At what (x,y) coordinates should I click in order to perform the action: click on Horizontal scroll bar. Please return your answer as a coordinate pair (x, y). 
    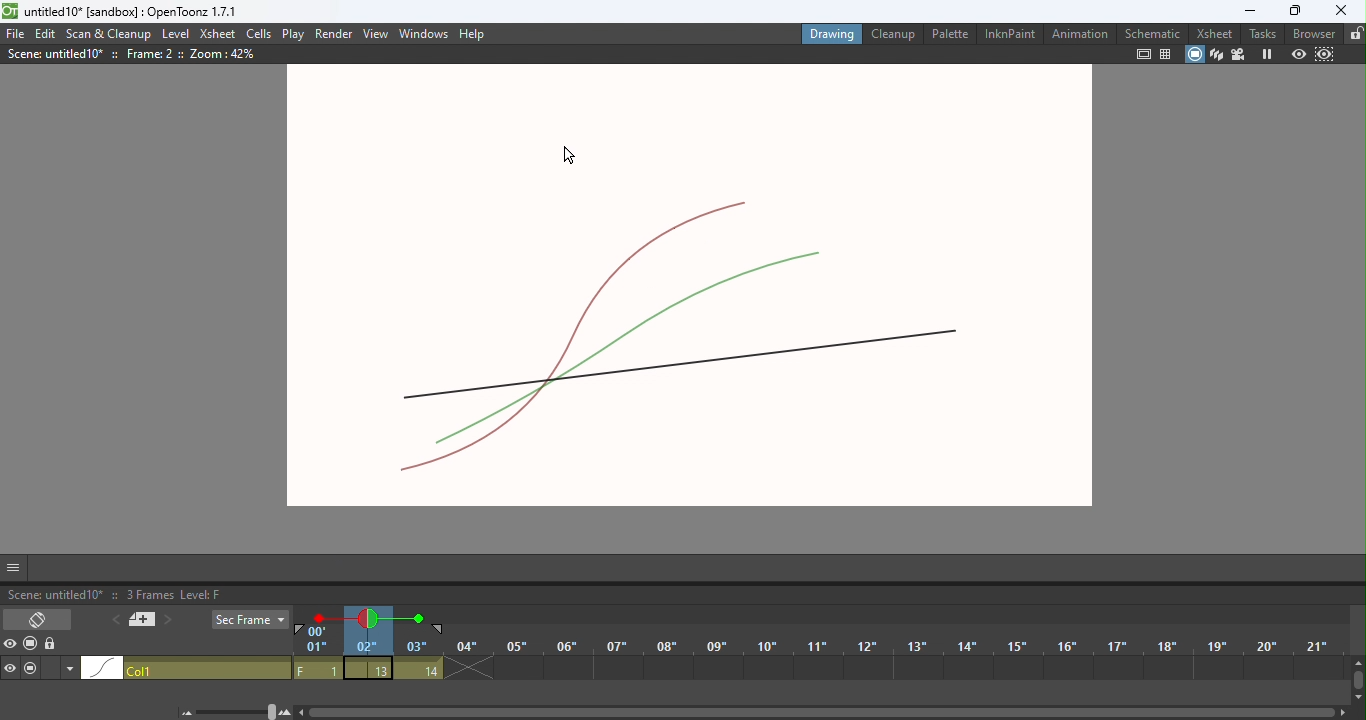
    Looking at the image, I should click on (823, 711).